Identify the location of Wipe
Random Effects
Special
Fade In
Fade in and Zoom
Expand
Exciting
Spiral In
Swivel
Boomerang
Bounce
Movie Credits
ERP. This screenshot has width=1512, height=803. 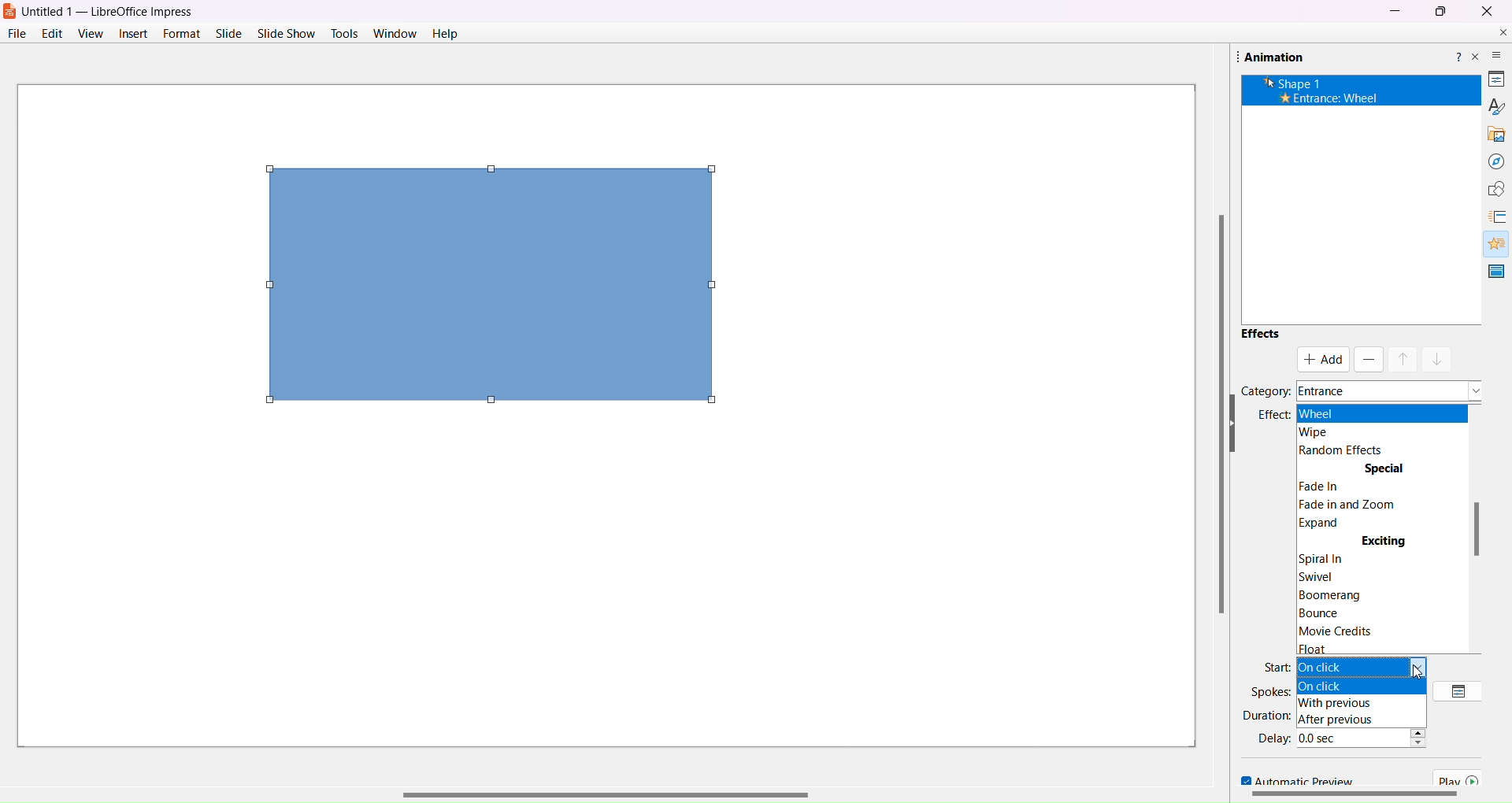
(1378, 529).